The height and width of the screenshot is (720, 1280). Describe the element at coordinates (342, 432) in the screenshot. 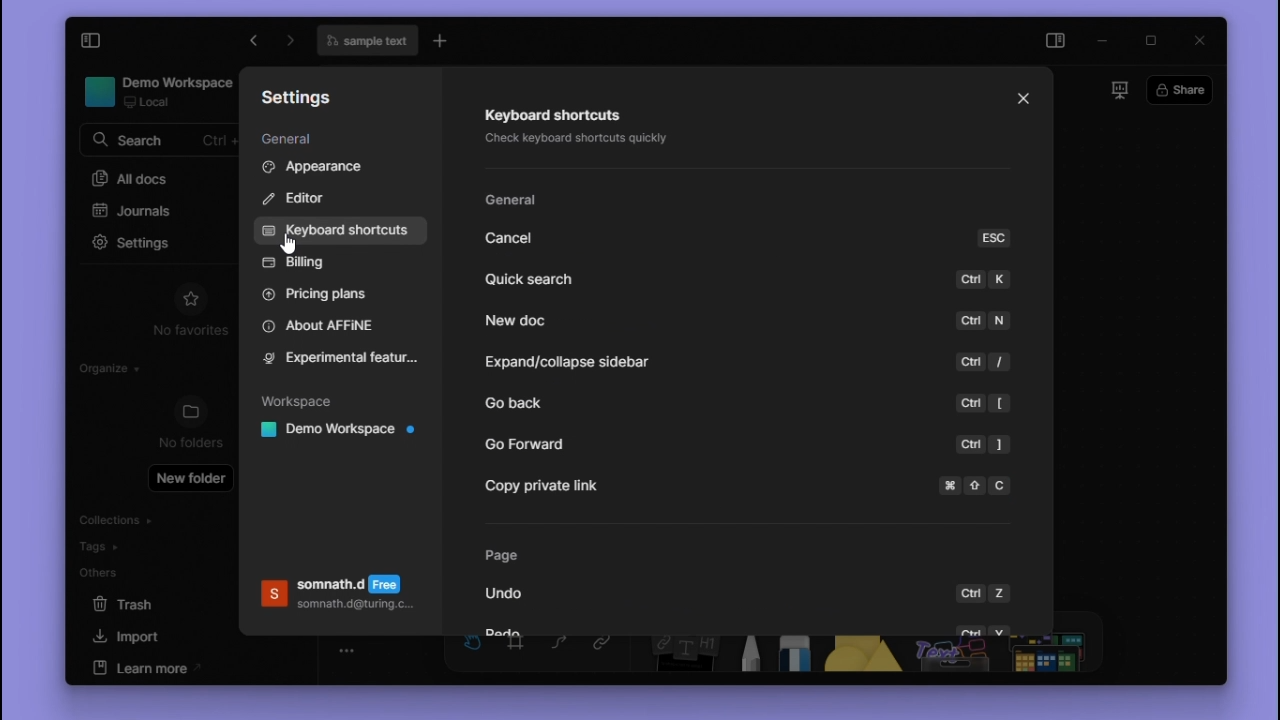

I see `Workspace name` at that location.